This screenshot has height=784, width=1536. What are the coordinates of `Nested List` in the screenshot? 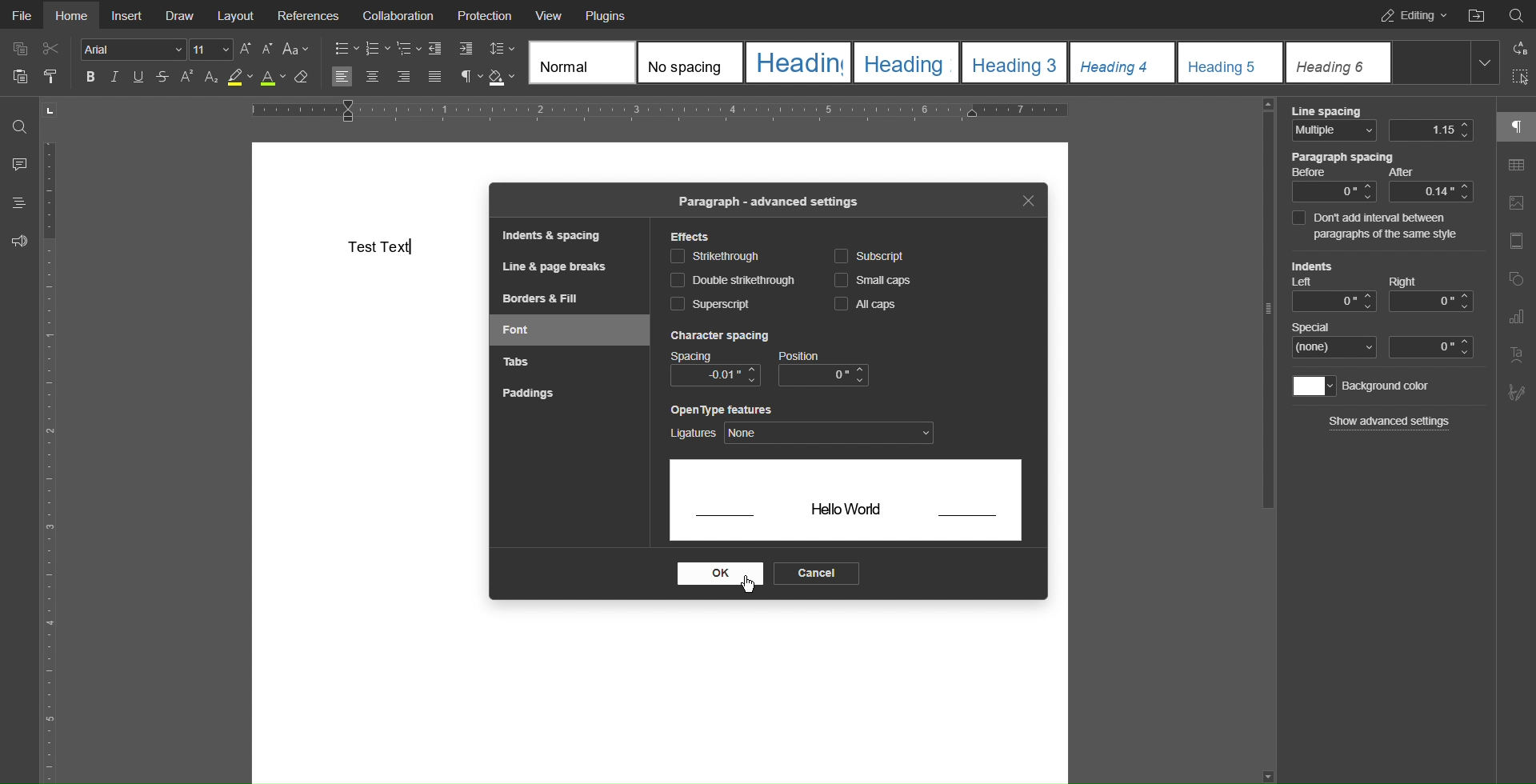 It's located at (409, 50).